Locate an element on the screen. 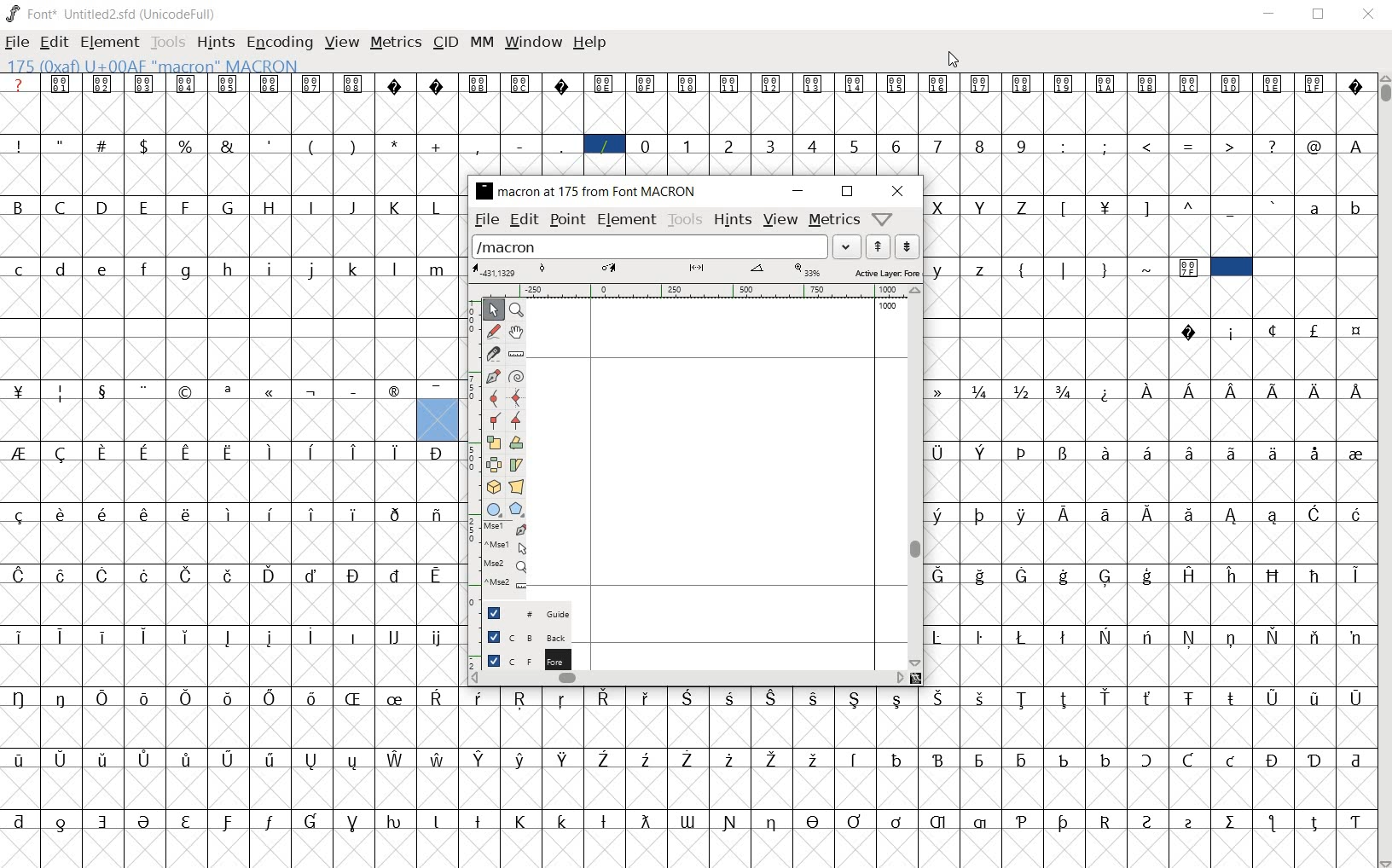 This screenshot has height=868, width=1392. Symbol is located at coordinates (983, 698).